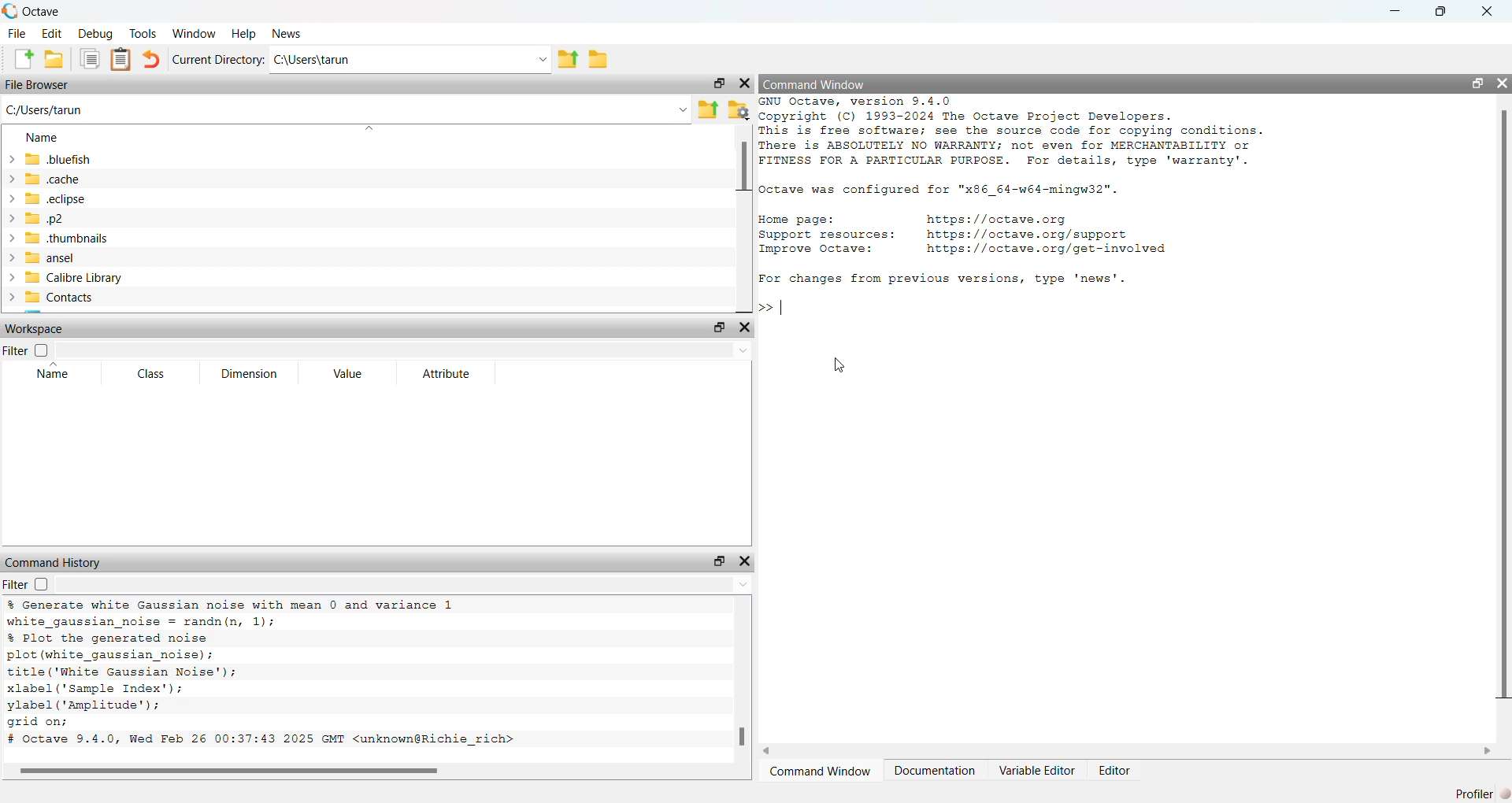 The height and width of the screenshot is (803, 1512). What do you see at coordinates (44, 83) in the screenshot?
I see `File Browser` at bounding box center [44, 83].